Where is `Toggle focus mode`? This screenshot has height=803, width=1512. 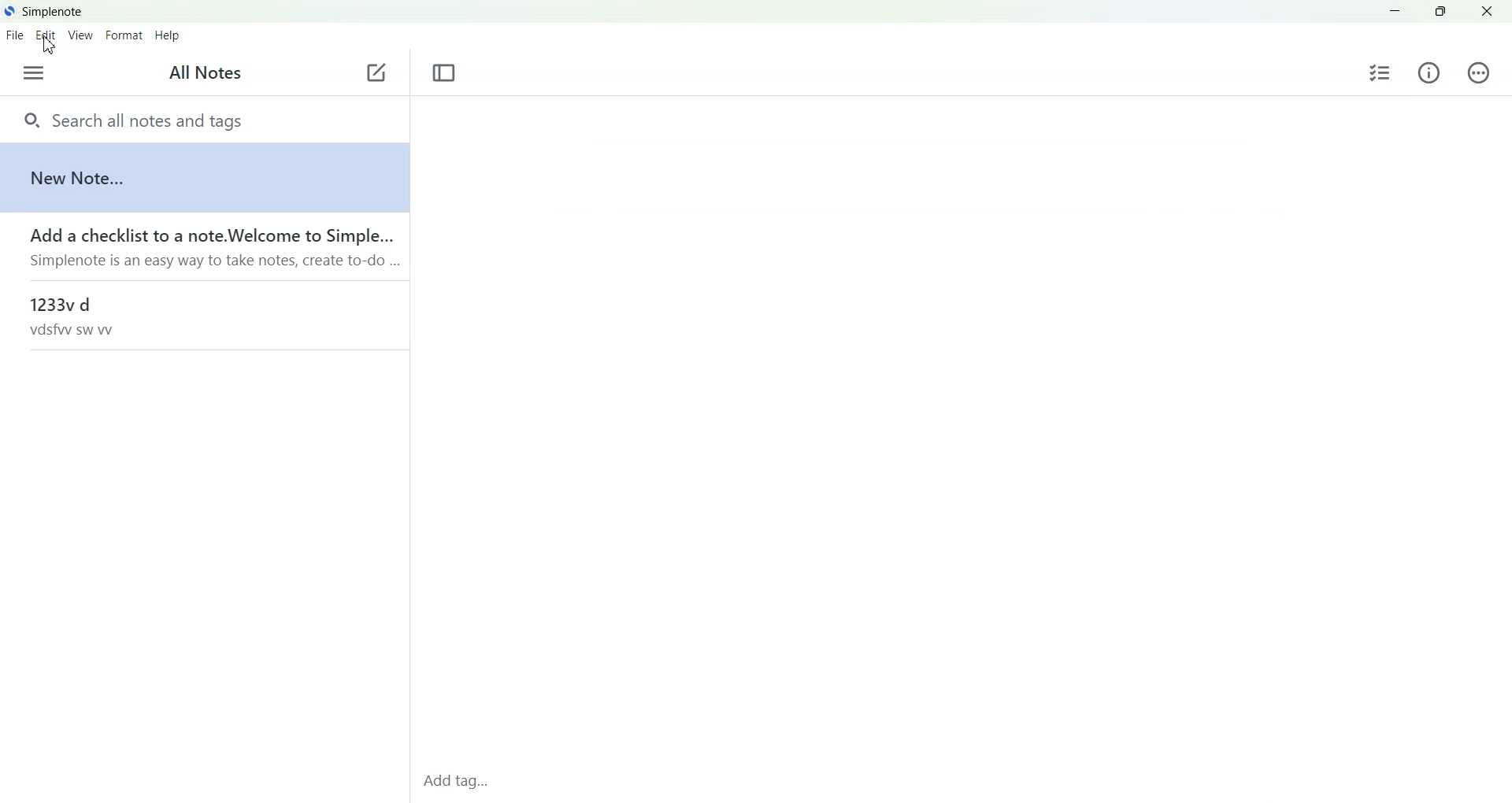
Toggle focus mode is located at coordinates (445, 73).